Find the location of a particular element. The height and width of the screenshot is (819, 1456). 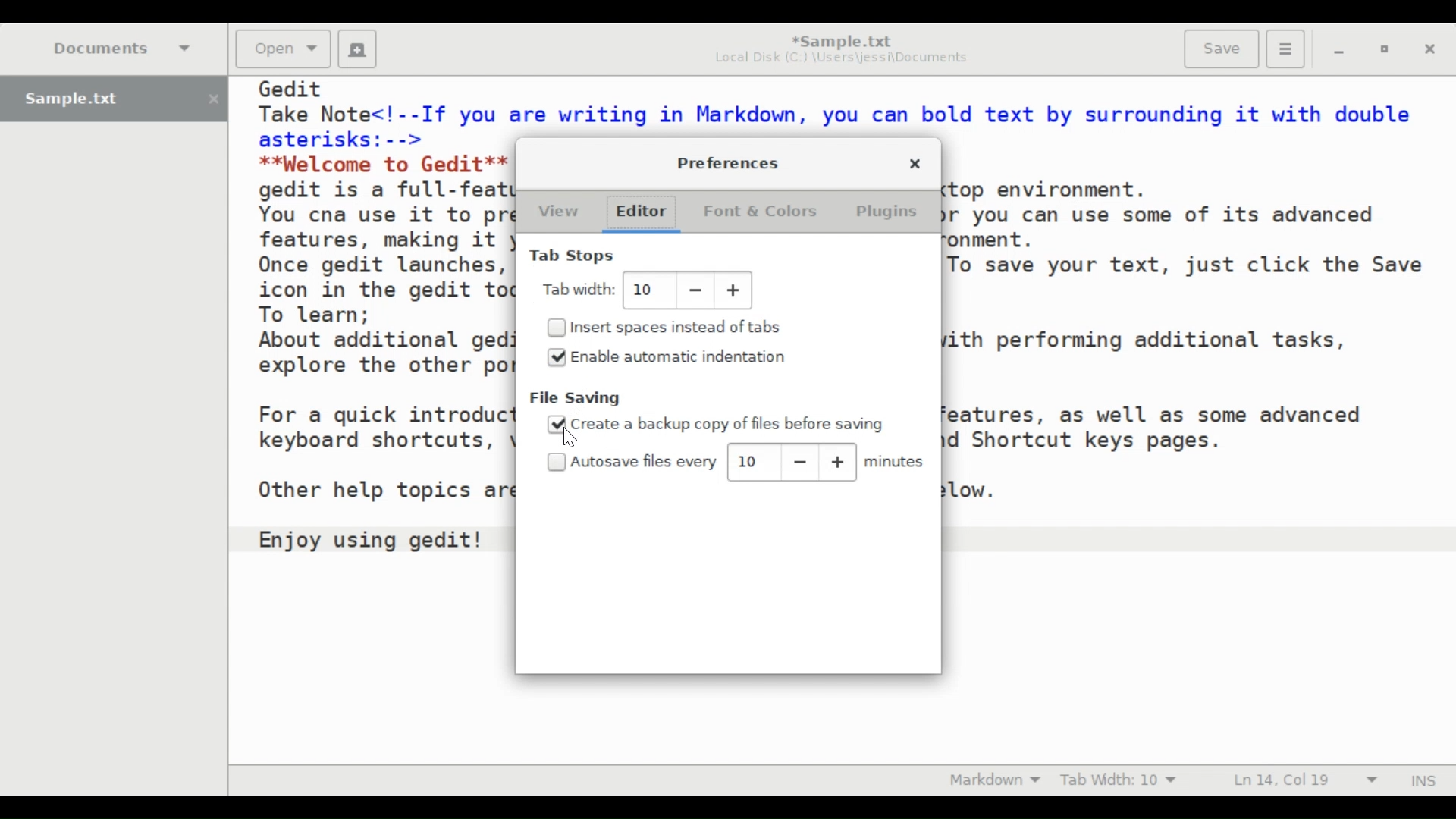

Local Disk (C:) \Users\jessi\Documents is located at coordinates (841, 61).